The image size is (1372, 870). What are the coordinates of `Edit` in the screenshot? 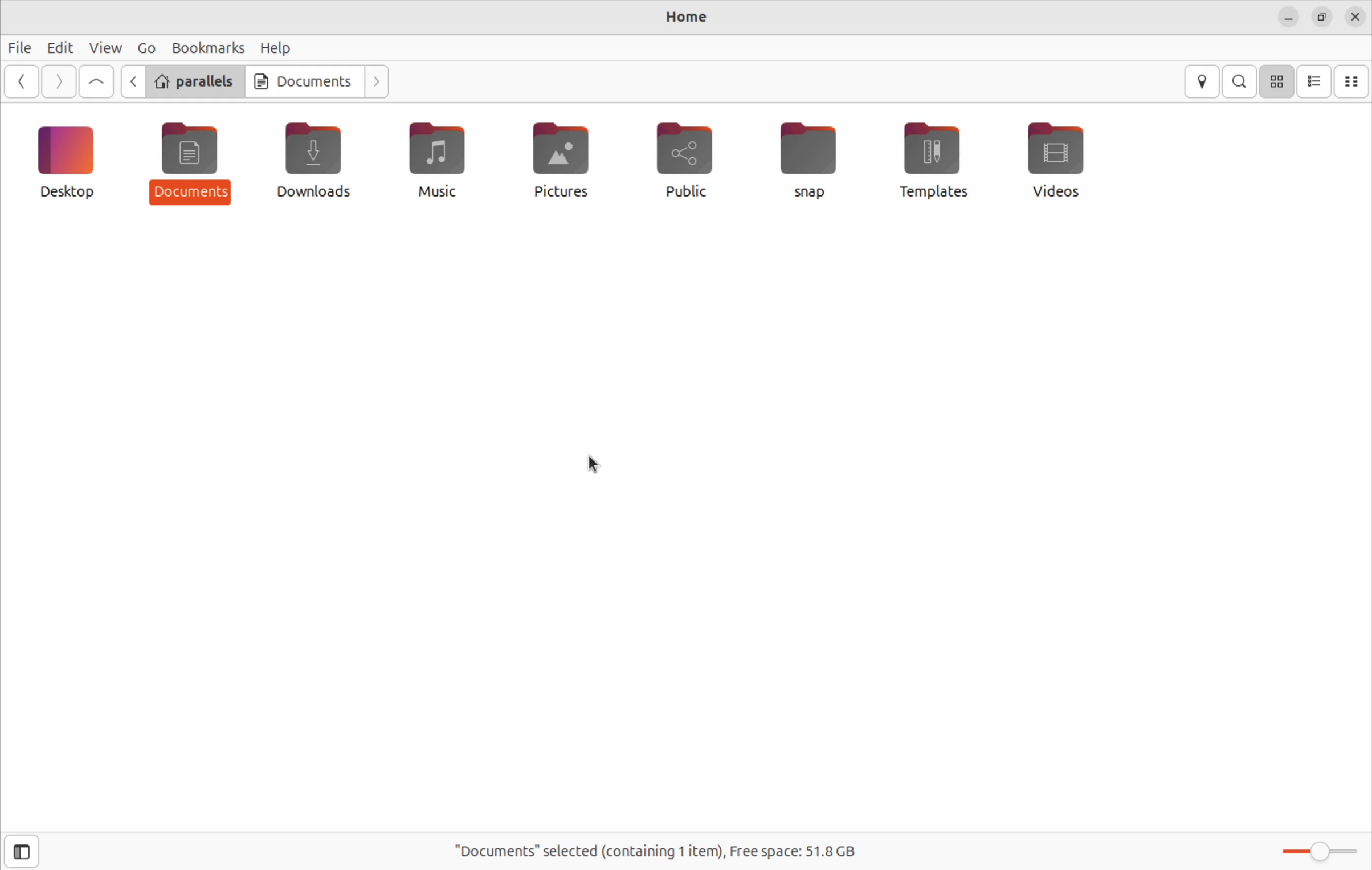 It's located at (60, 47).